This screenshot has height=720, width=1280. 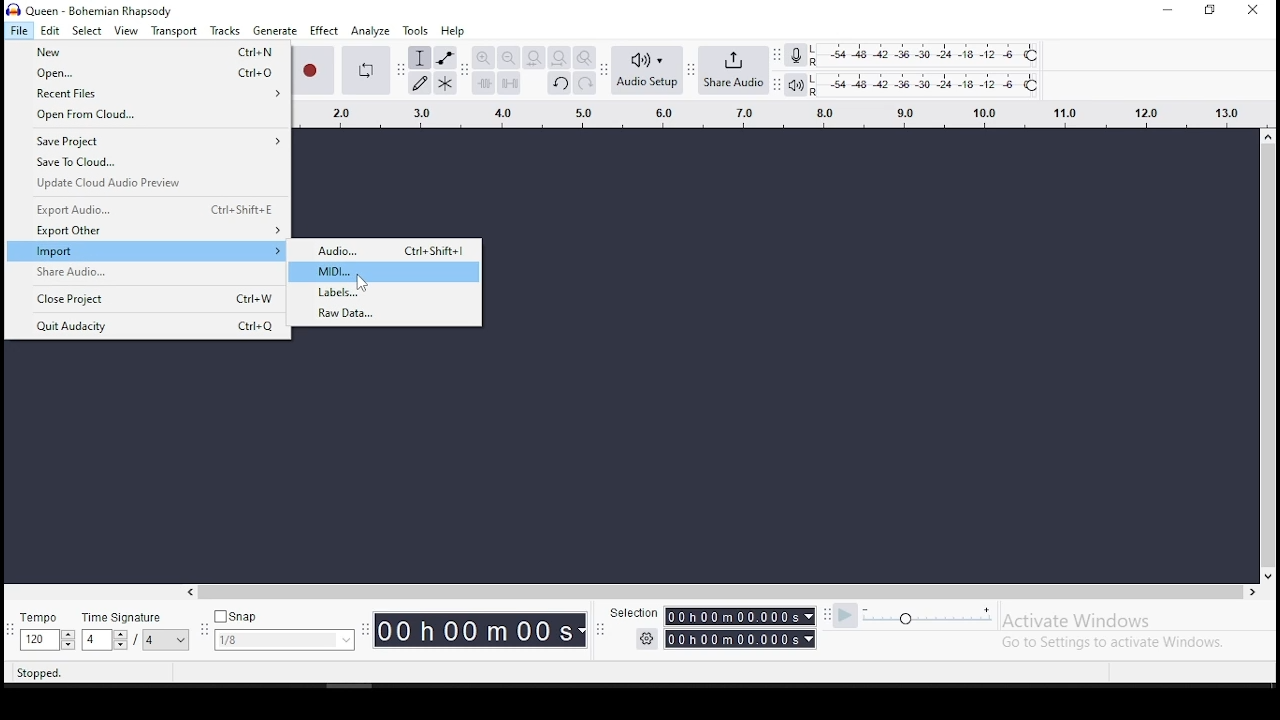 What do you see at coordinates (225, 31) in the screenshot?
I see `tracks` at bounding box center [225, 31].